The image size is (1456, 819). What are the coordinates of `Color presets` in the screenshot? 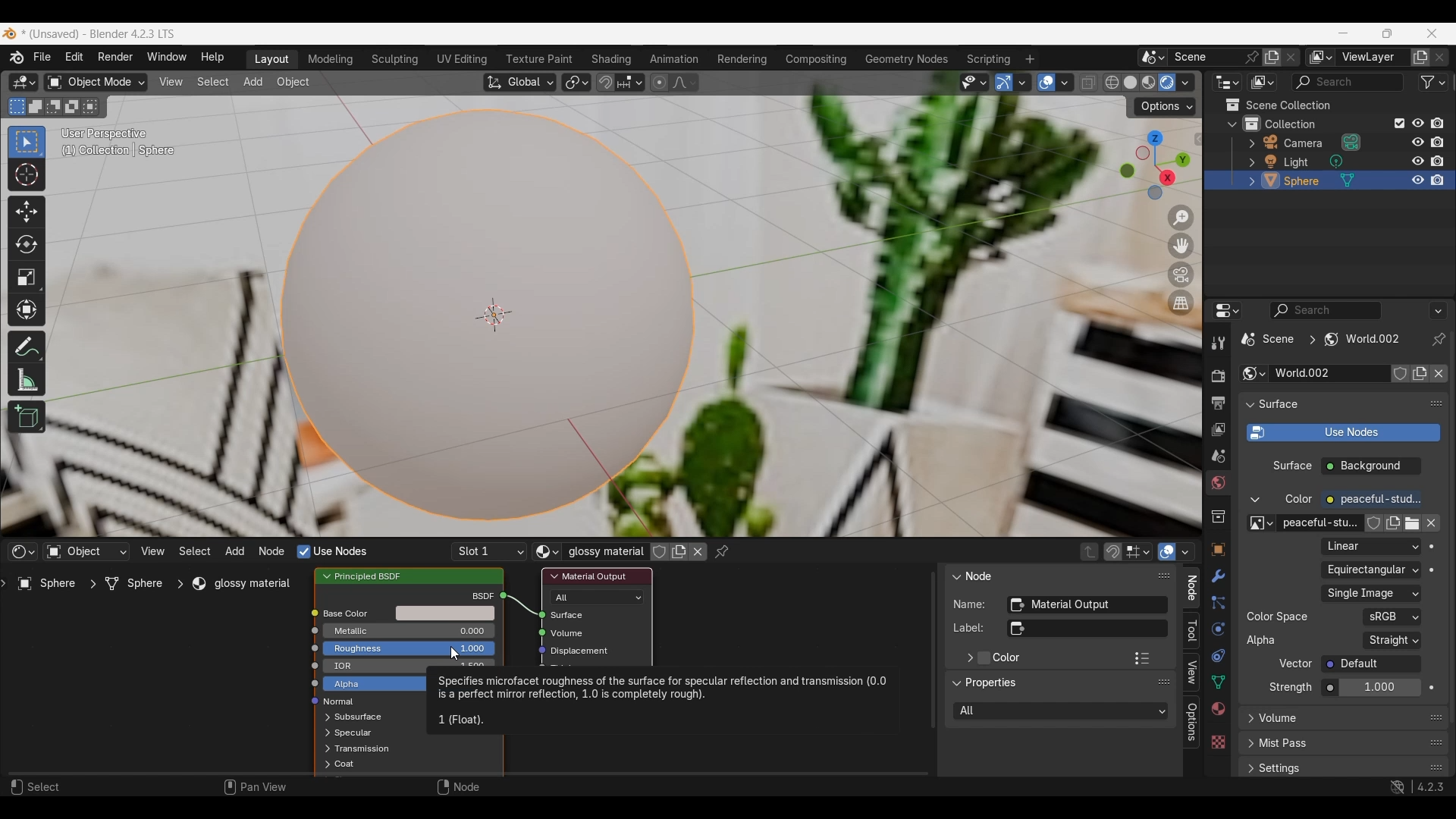 It's located at (1142, 658).